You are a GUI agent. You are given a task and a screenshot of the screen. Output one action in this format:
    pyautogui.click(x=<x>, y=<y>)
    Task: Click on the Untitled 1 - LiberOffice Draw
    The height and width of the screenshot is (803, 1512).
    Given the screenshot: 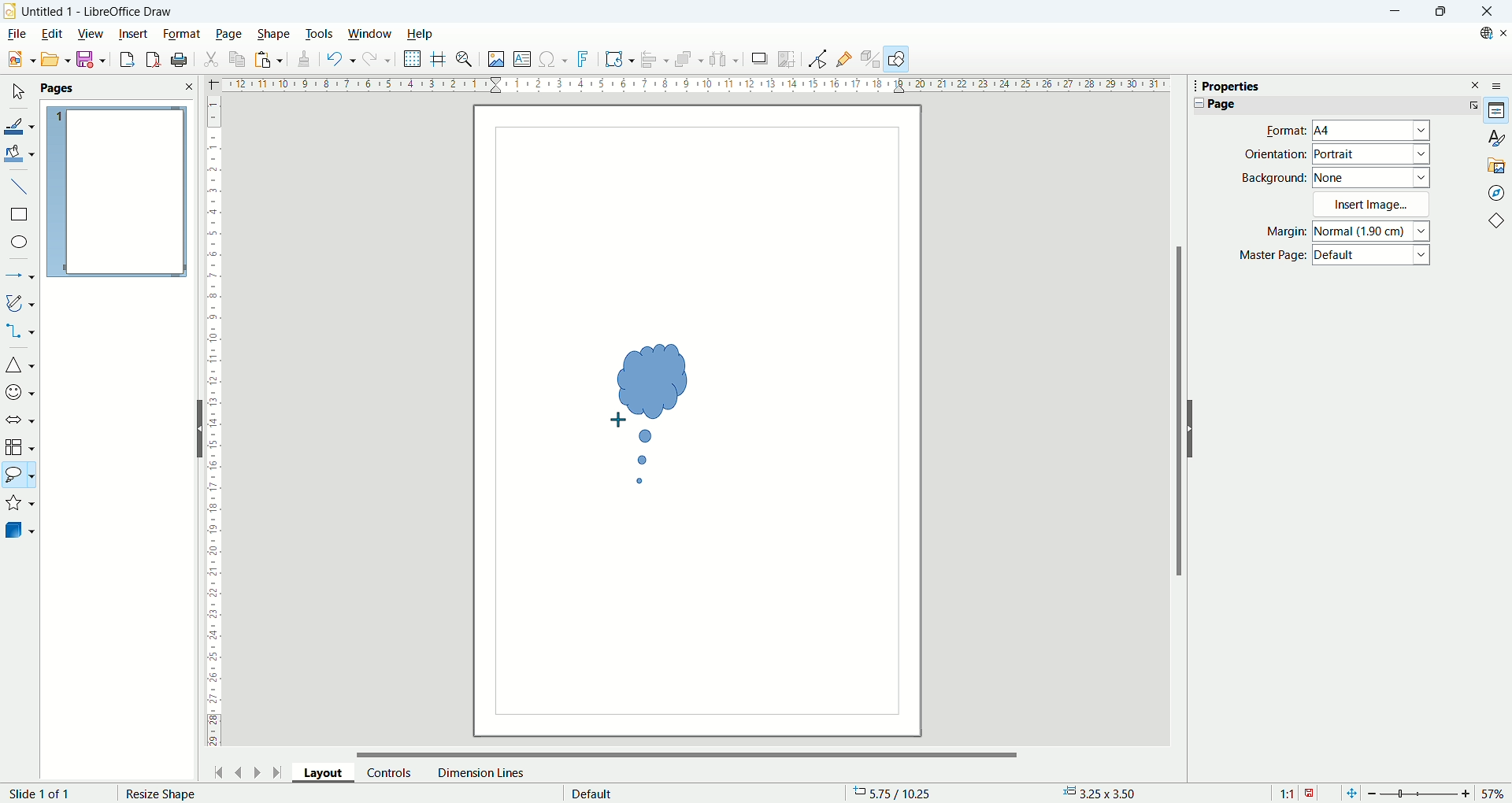 What is the action you would take?
    pyautogui.click(x=98, y=9)
    